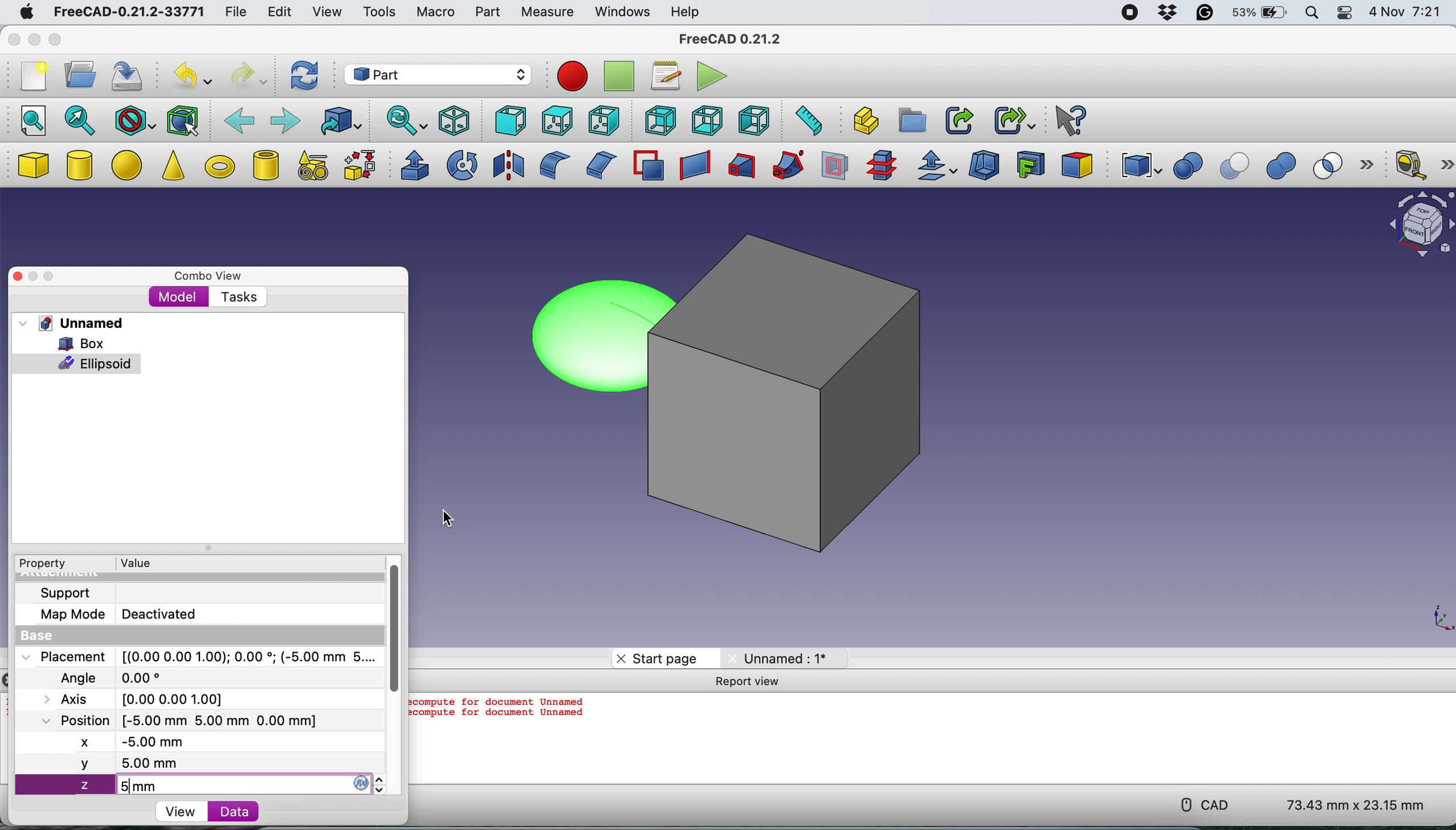  I want to click on loft, so click(740, 168).